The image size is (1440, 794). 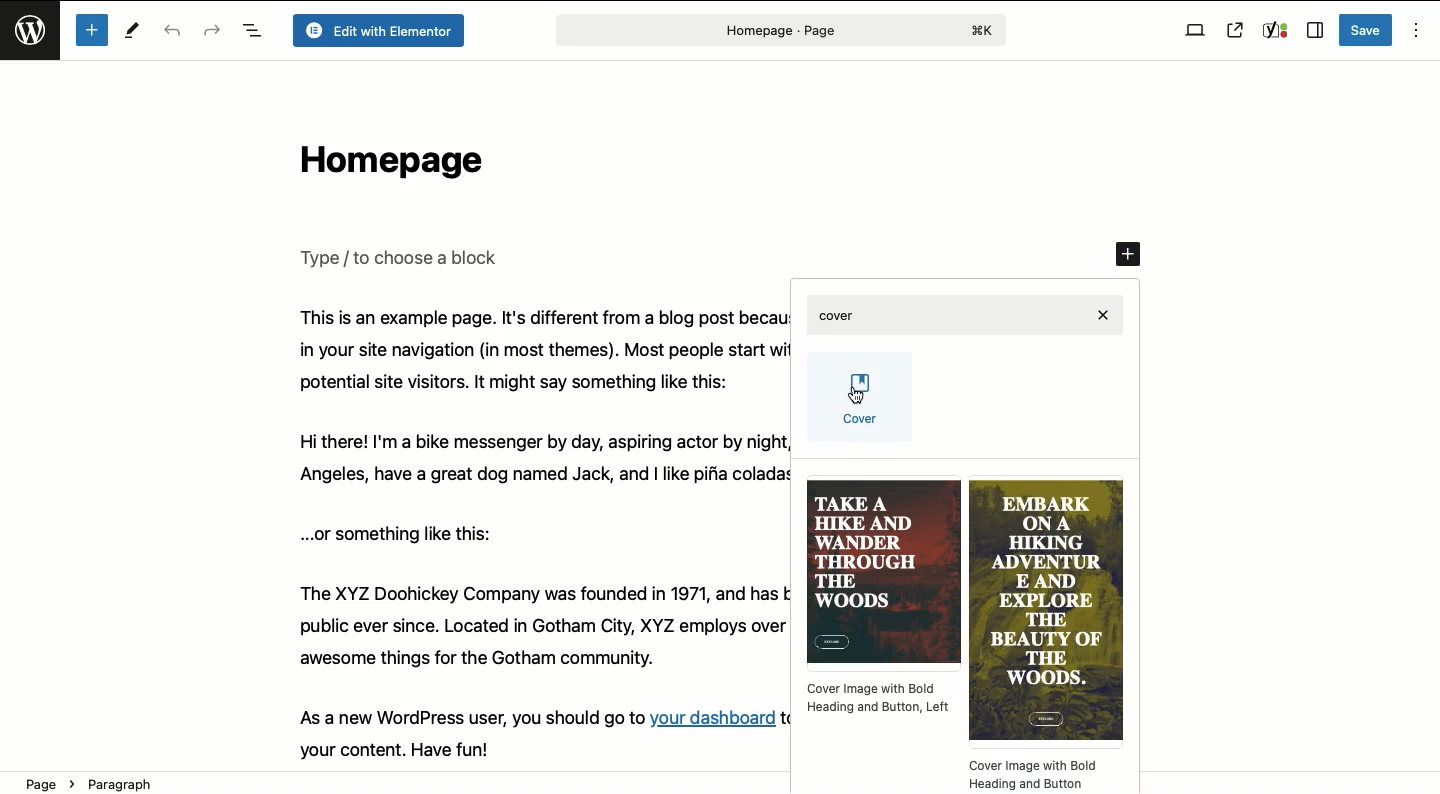 I want to click on Document overview, so click(x=252, y=32).